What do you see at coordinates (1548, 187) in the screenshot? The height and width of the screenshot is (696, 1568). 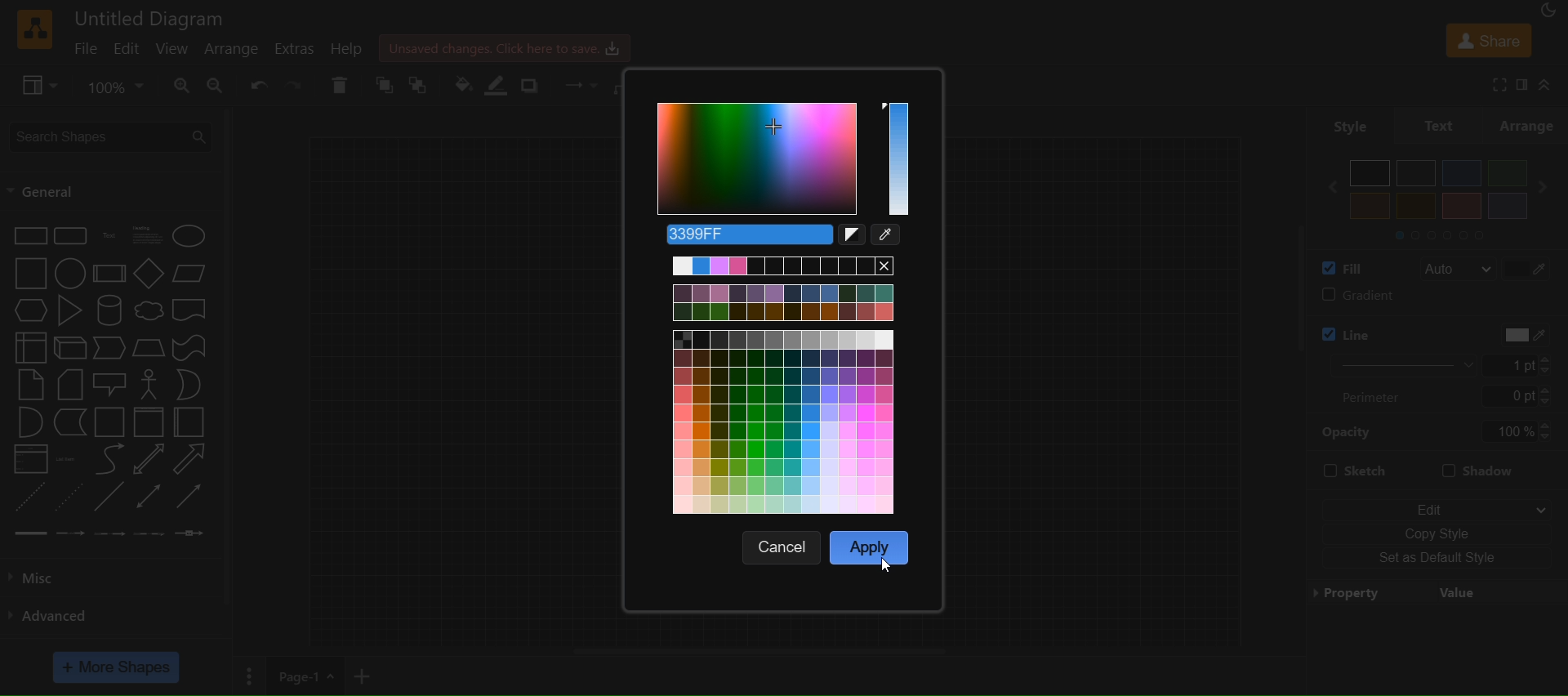 I see `next` at bounding box center [1548, 187].